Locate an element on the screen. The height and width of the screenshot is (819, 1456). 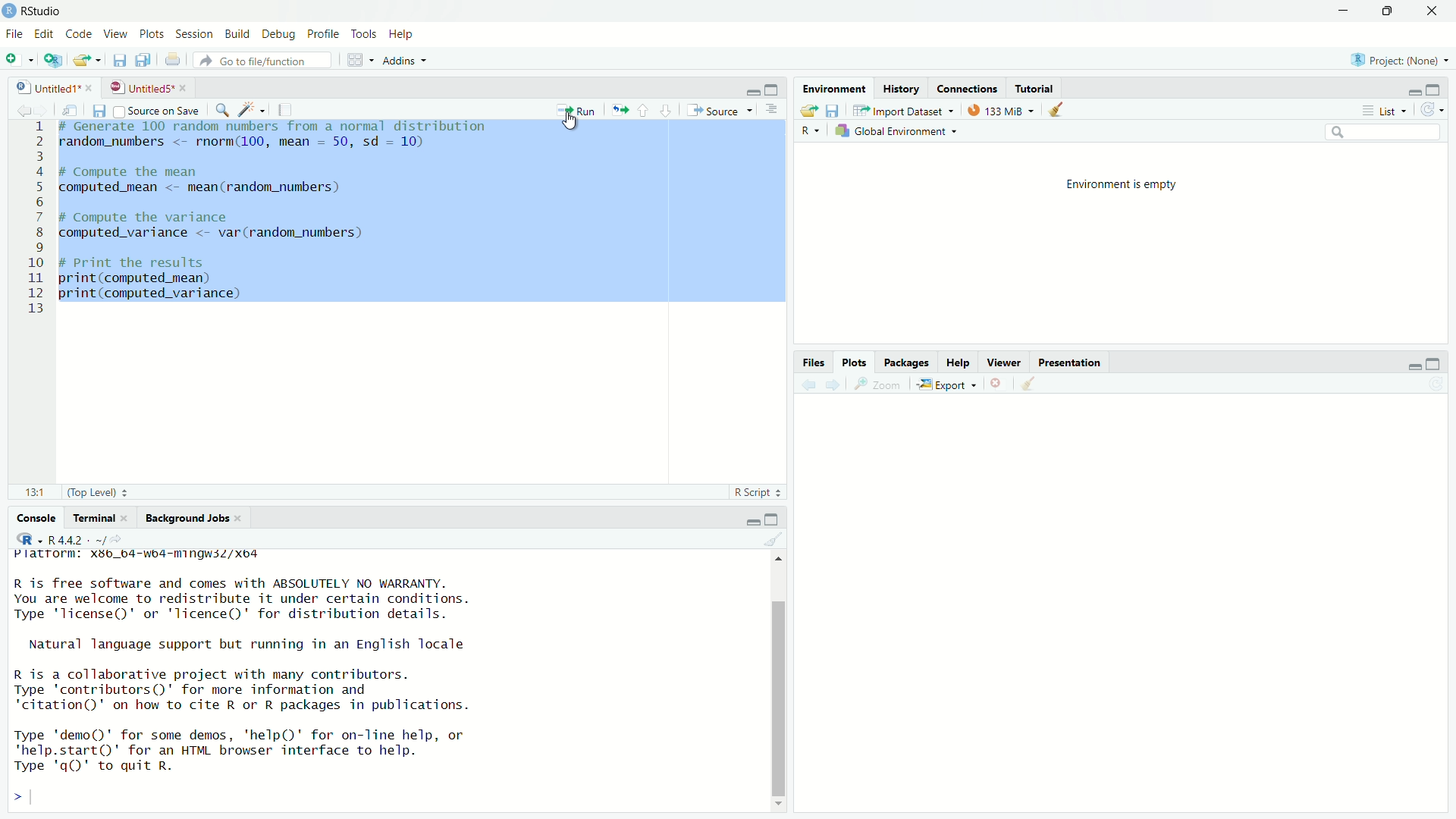
R is free software and comes with ABSOLUTELY NO WARRANTY.
You are welcome to redistribute it under certain conditions.
Type "license" or 'licence()' for distribution details. is located at coordinates (237, 597).